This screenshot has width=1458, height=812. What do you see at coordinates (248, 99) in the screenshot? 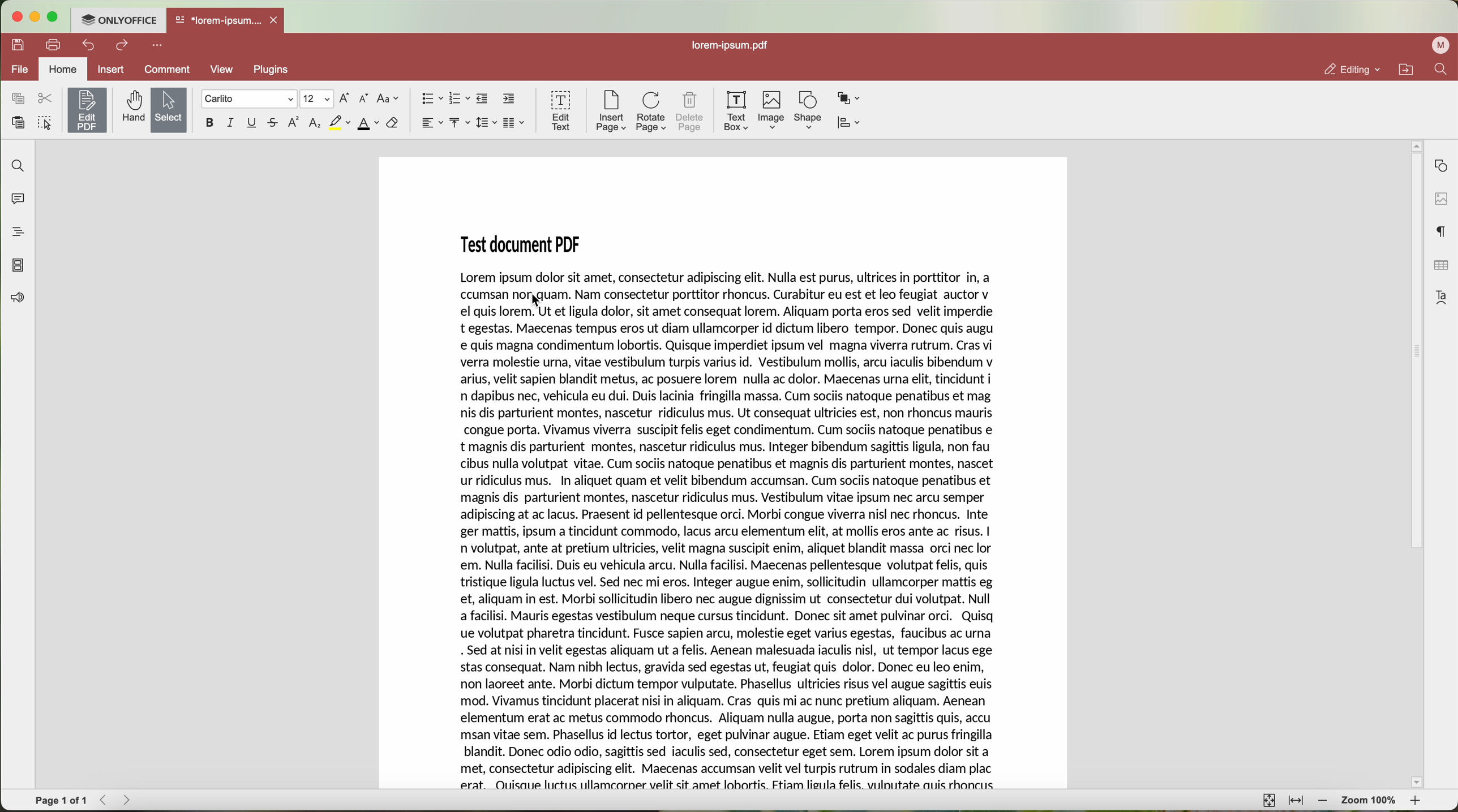
I see `font type` at bounding box center [248, 99].